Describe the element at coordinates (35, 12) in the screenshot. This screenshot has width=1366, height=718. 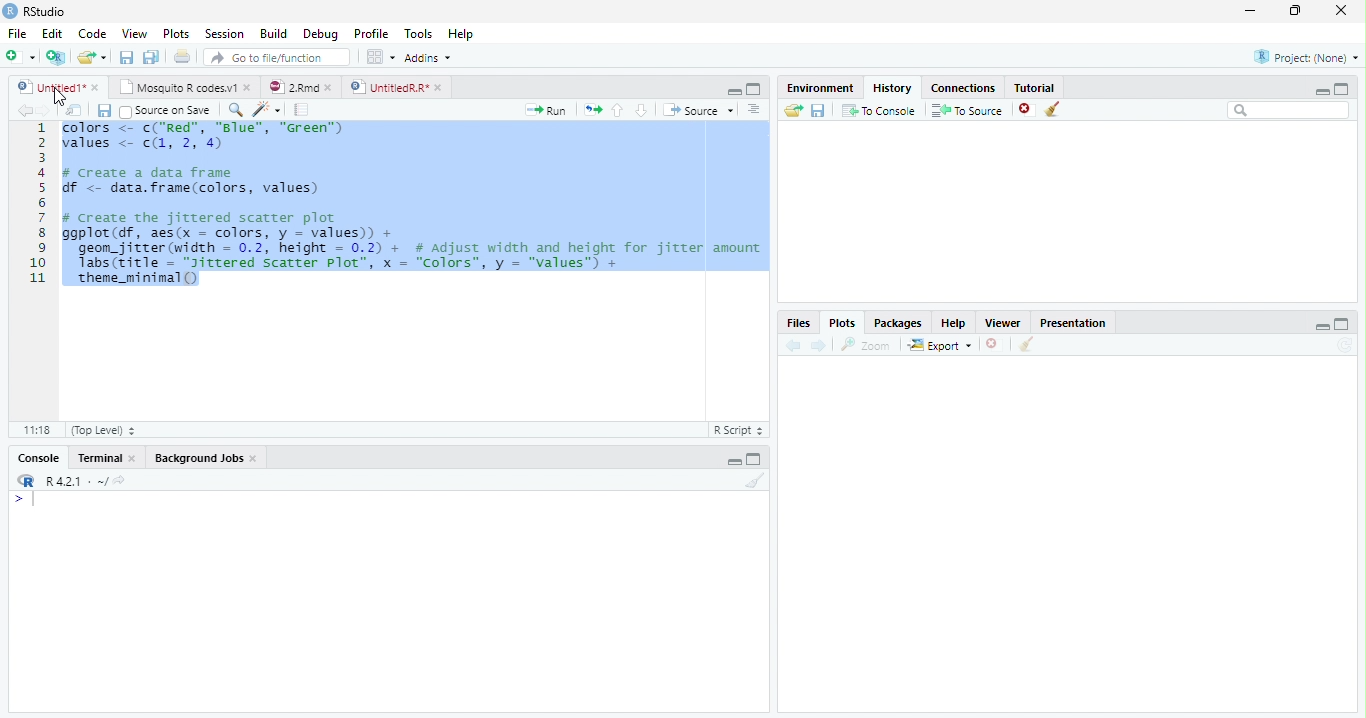
I see `RStudio` at that location.